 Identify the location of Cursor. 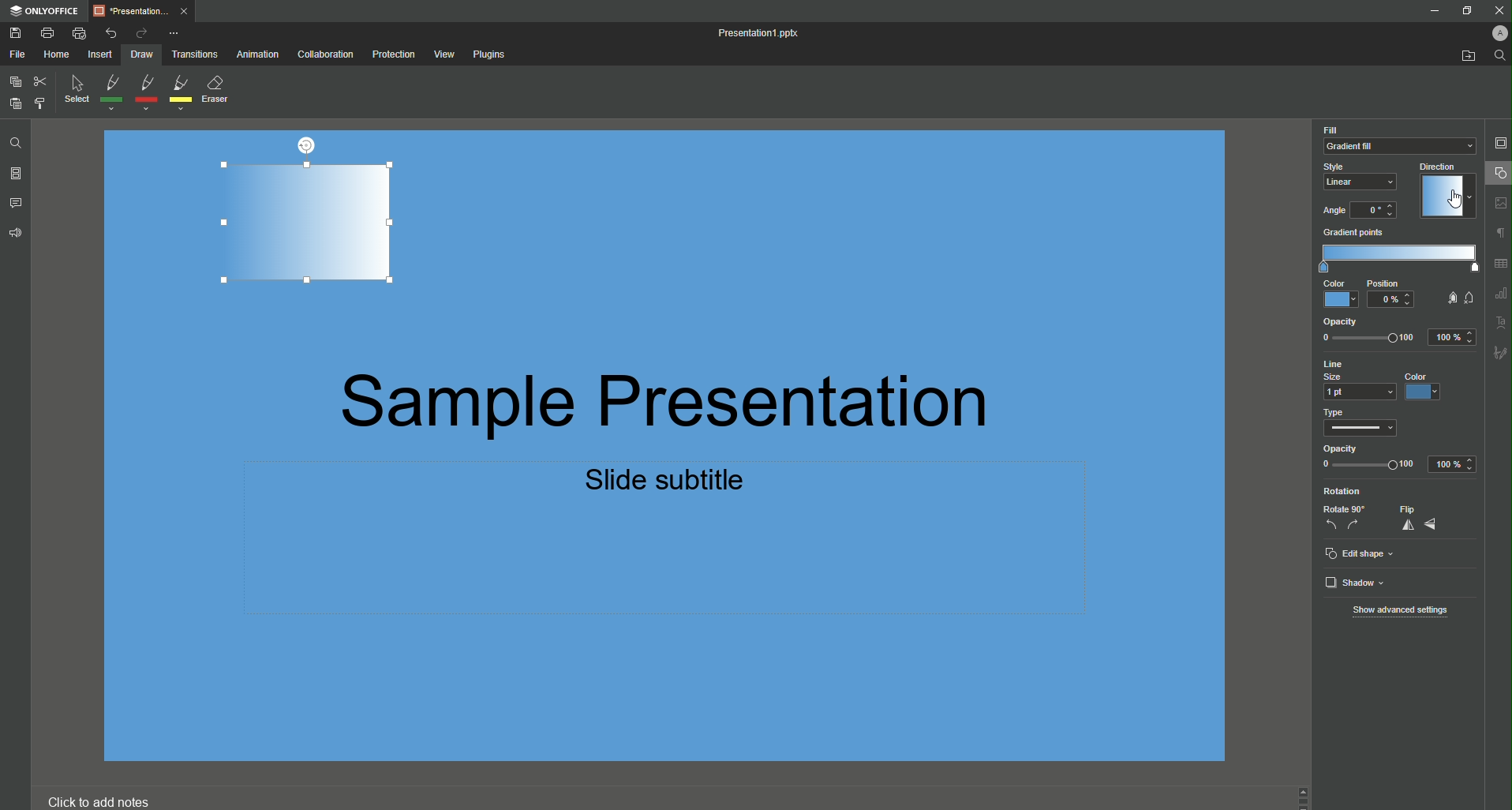
(1458, 200).